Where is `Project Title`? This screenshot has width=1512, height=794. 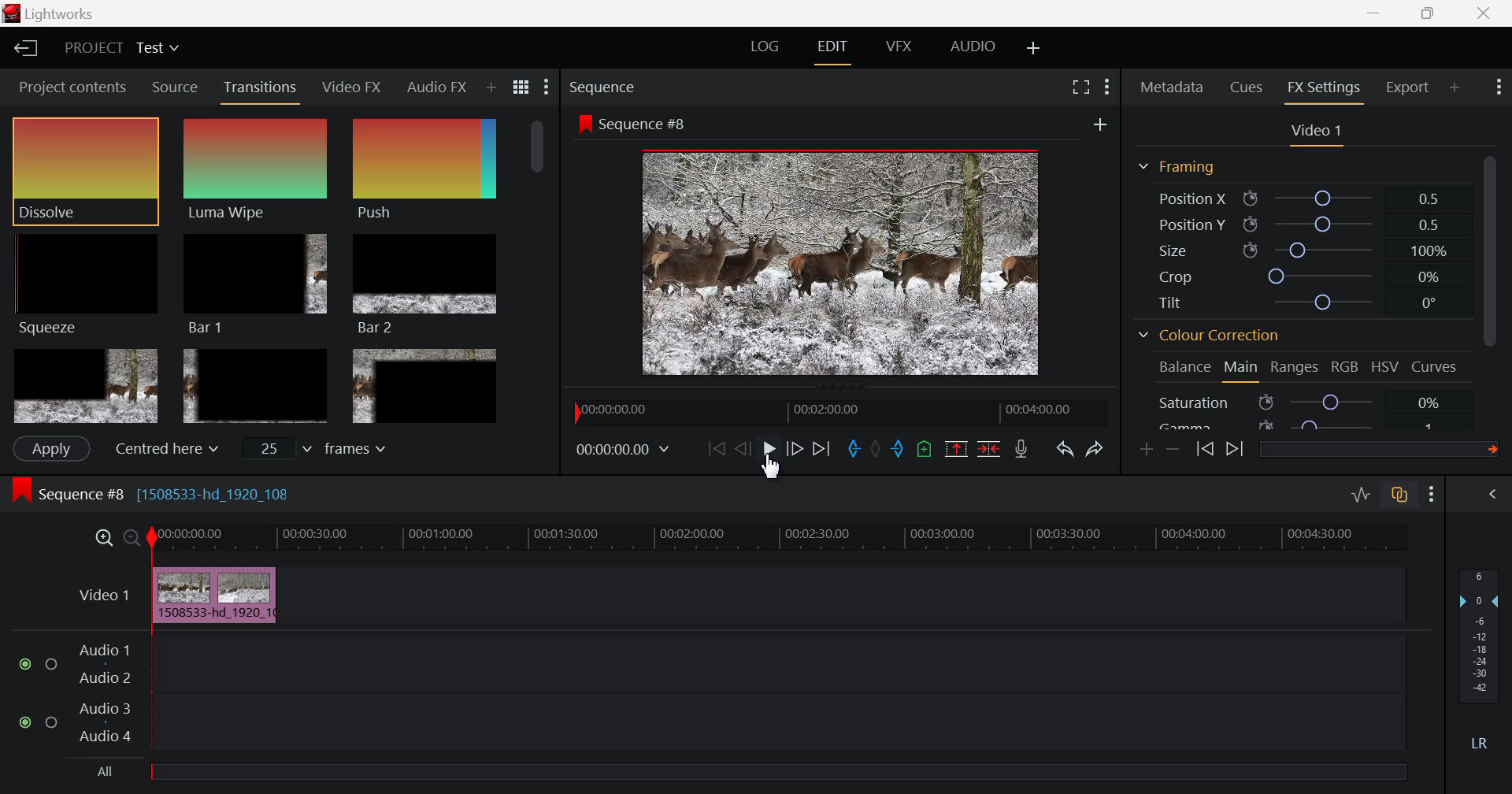
Project Title is located at coordinates (121, 50).